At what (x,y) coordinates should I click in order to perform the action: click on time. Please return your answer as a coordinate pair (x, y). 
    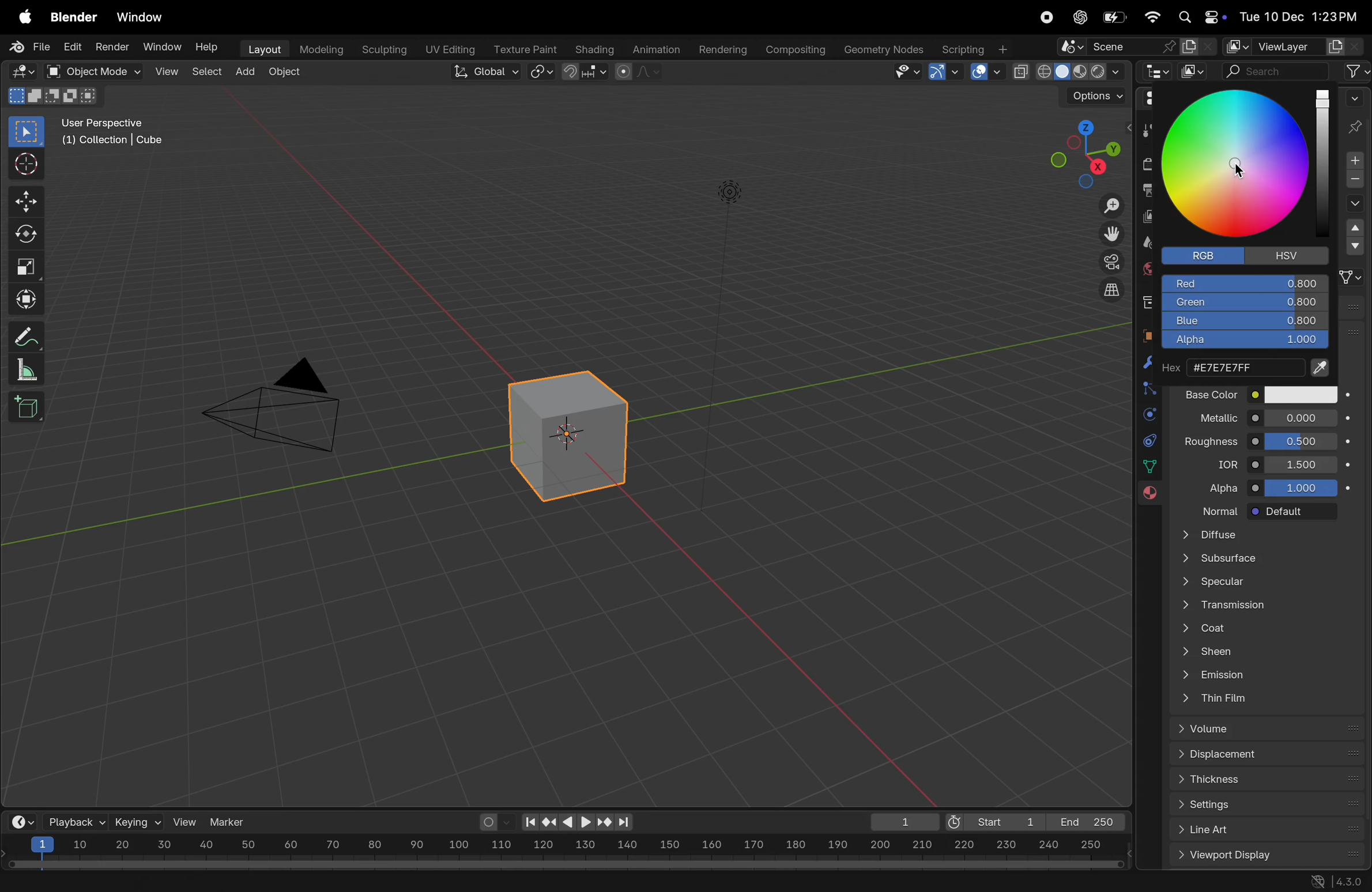
    Looking at the image, I should click on (20, 821).